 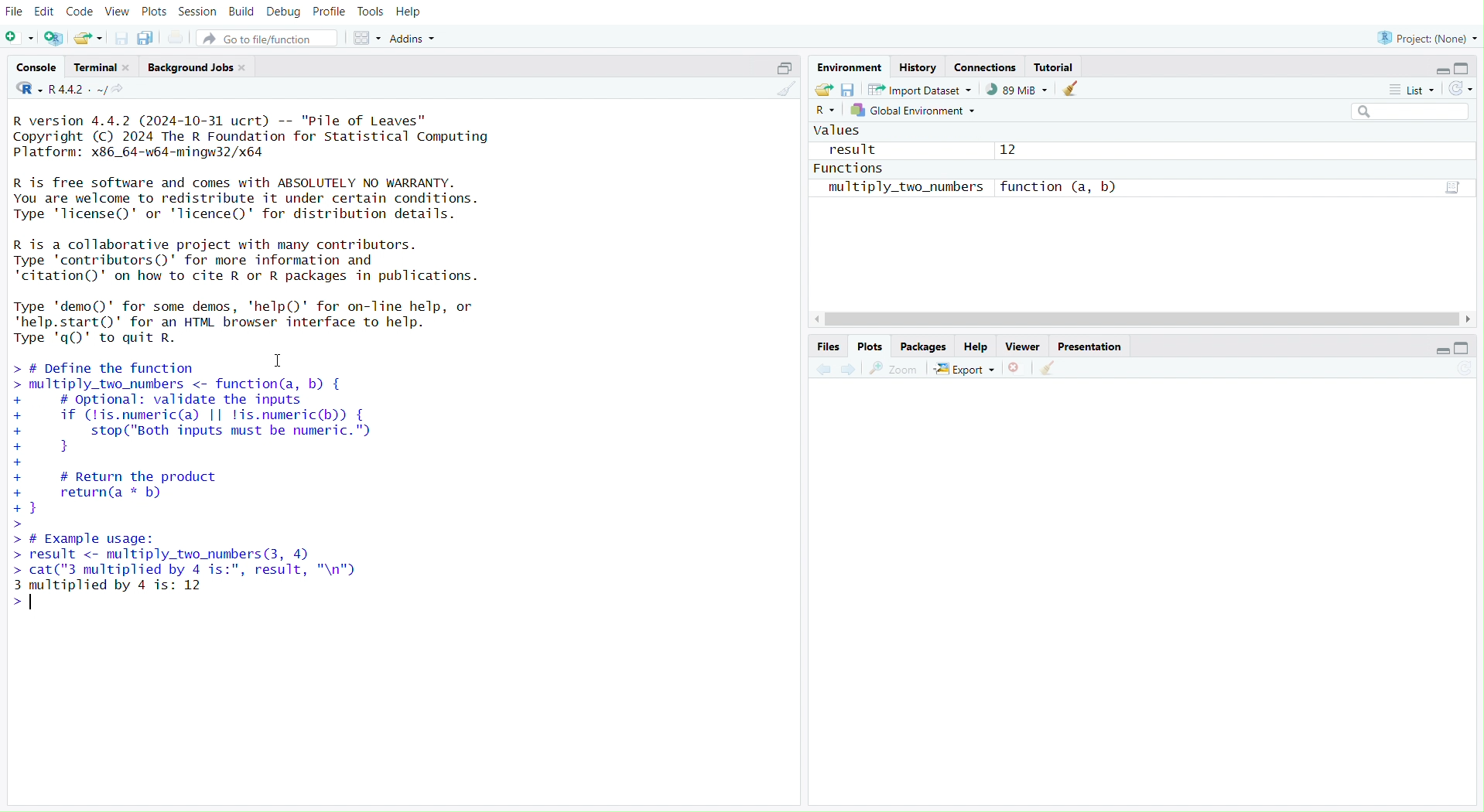 I want to click on Go forward to the next source location (Ctrl + F10), so click(x=850, y=370).